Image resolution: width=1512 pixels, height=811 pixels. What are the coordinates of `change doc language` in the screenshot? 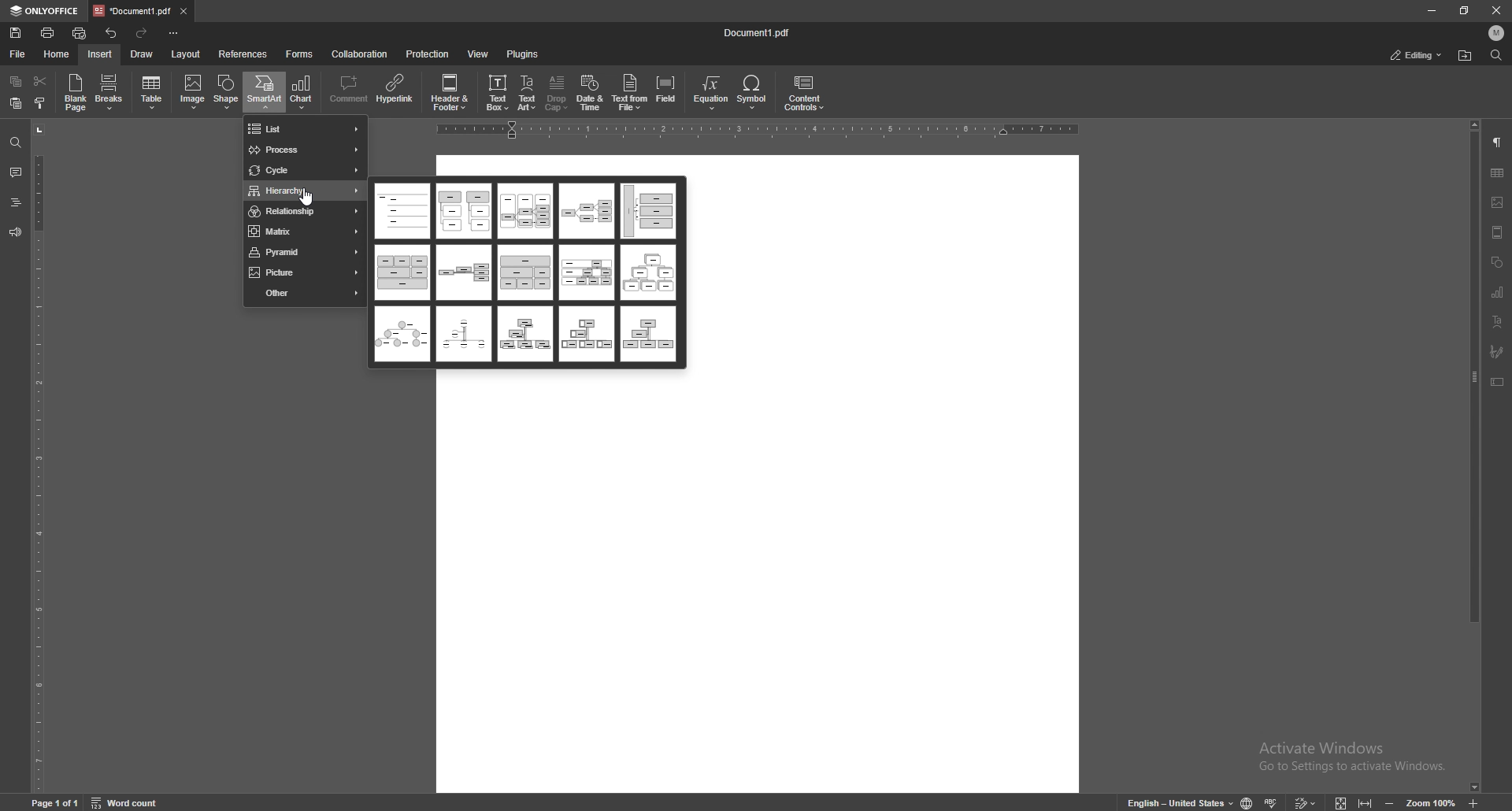 It's located at (1247, 802).